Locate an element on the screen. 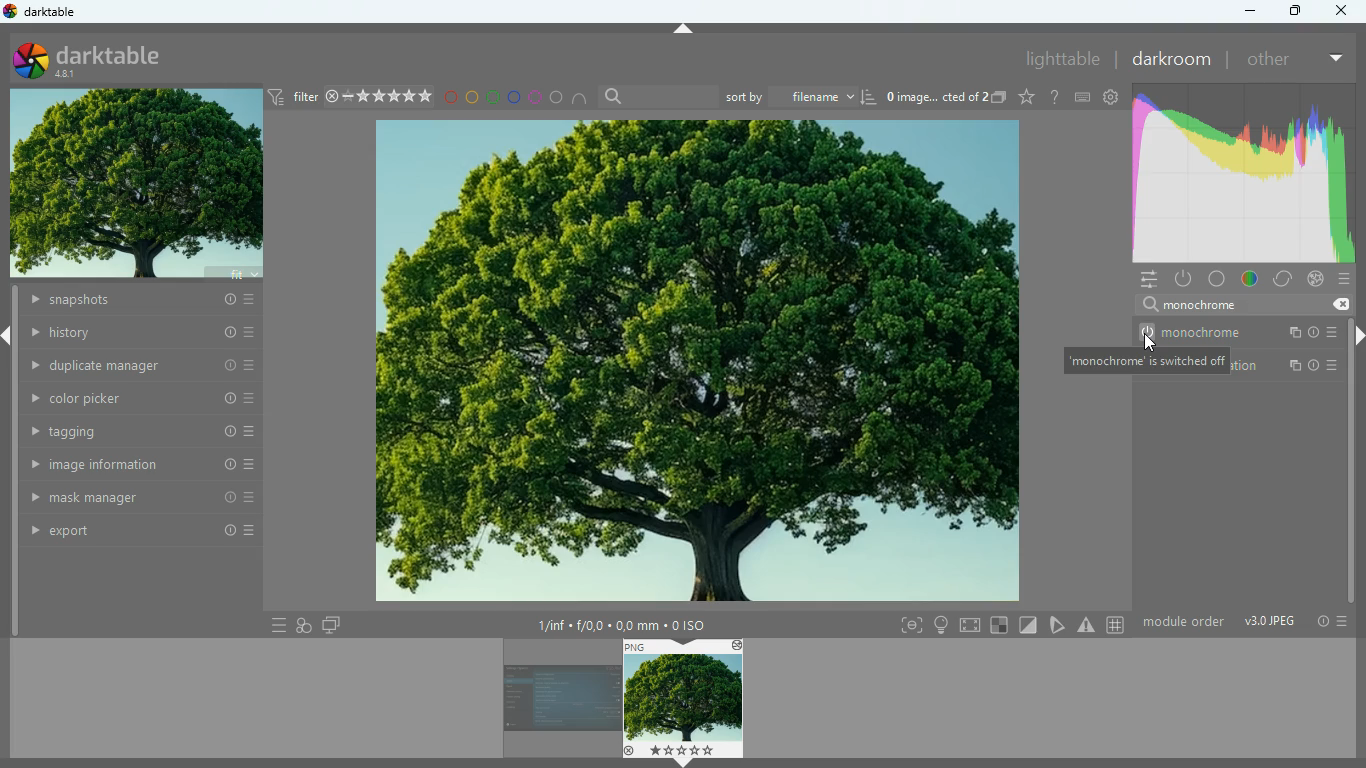 The height and width of the screenshot is (768, 1366). semi circle is located at coordinates (581, 98).